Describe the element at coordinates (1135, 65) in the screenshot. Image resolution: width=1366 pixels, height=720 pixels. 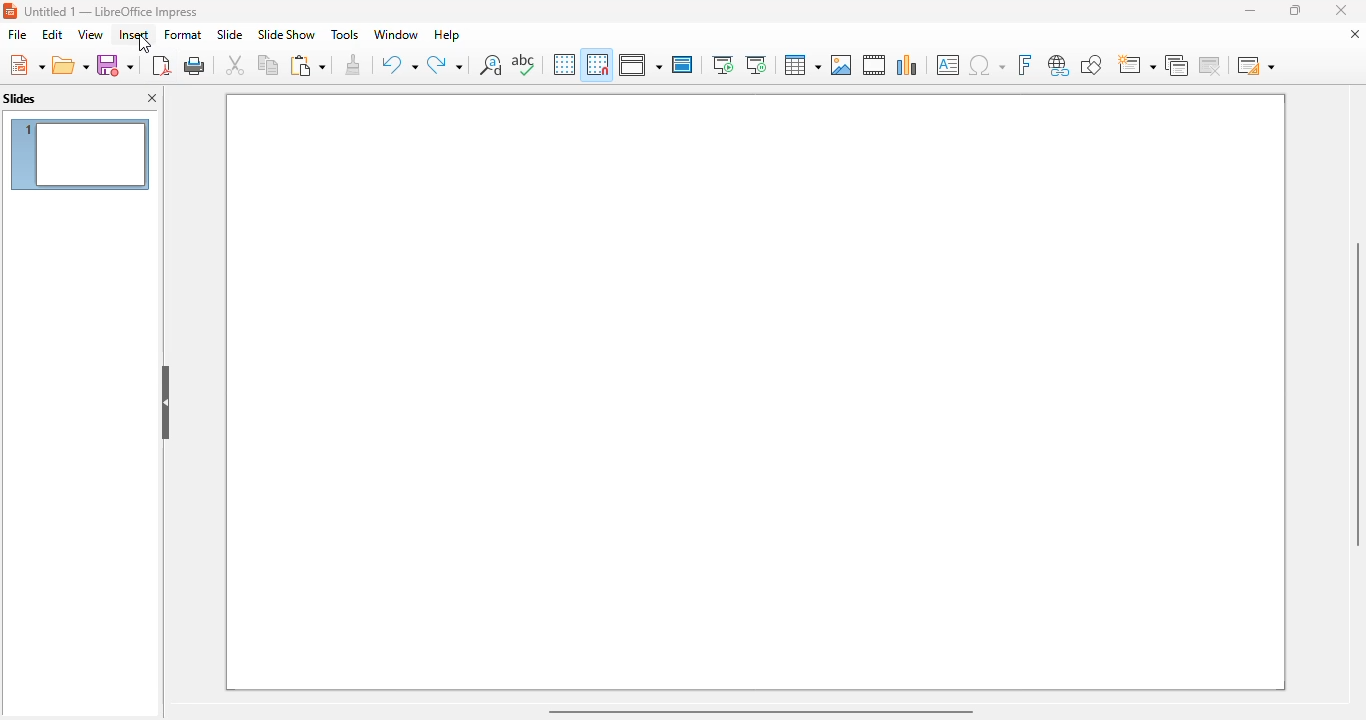
I see `new slide` at that location.